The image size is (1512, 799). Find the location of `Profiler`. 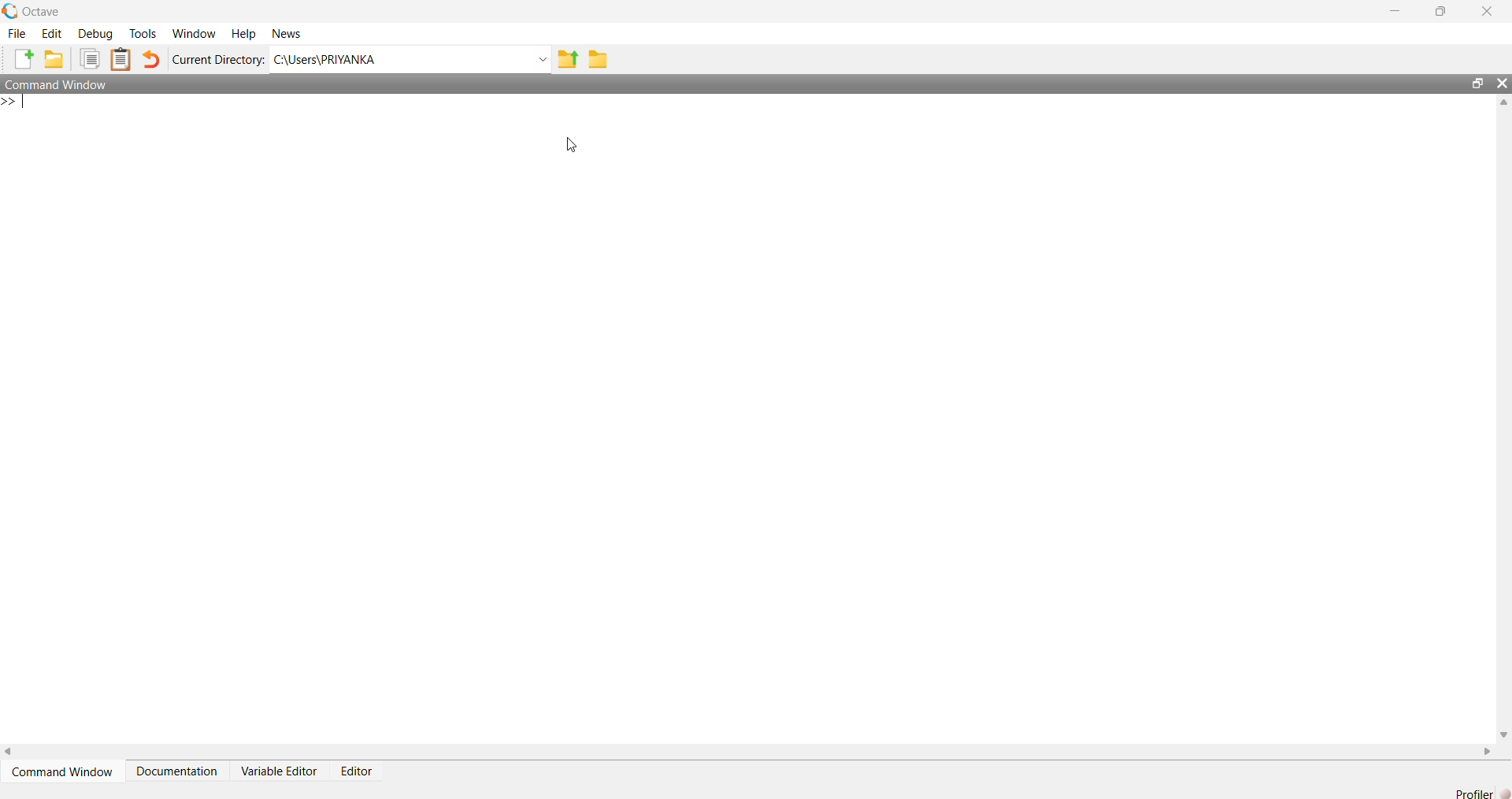

Profiler is located at coordinates (1482, 793).